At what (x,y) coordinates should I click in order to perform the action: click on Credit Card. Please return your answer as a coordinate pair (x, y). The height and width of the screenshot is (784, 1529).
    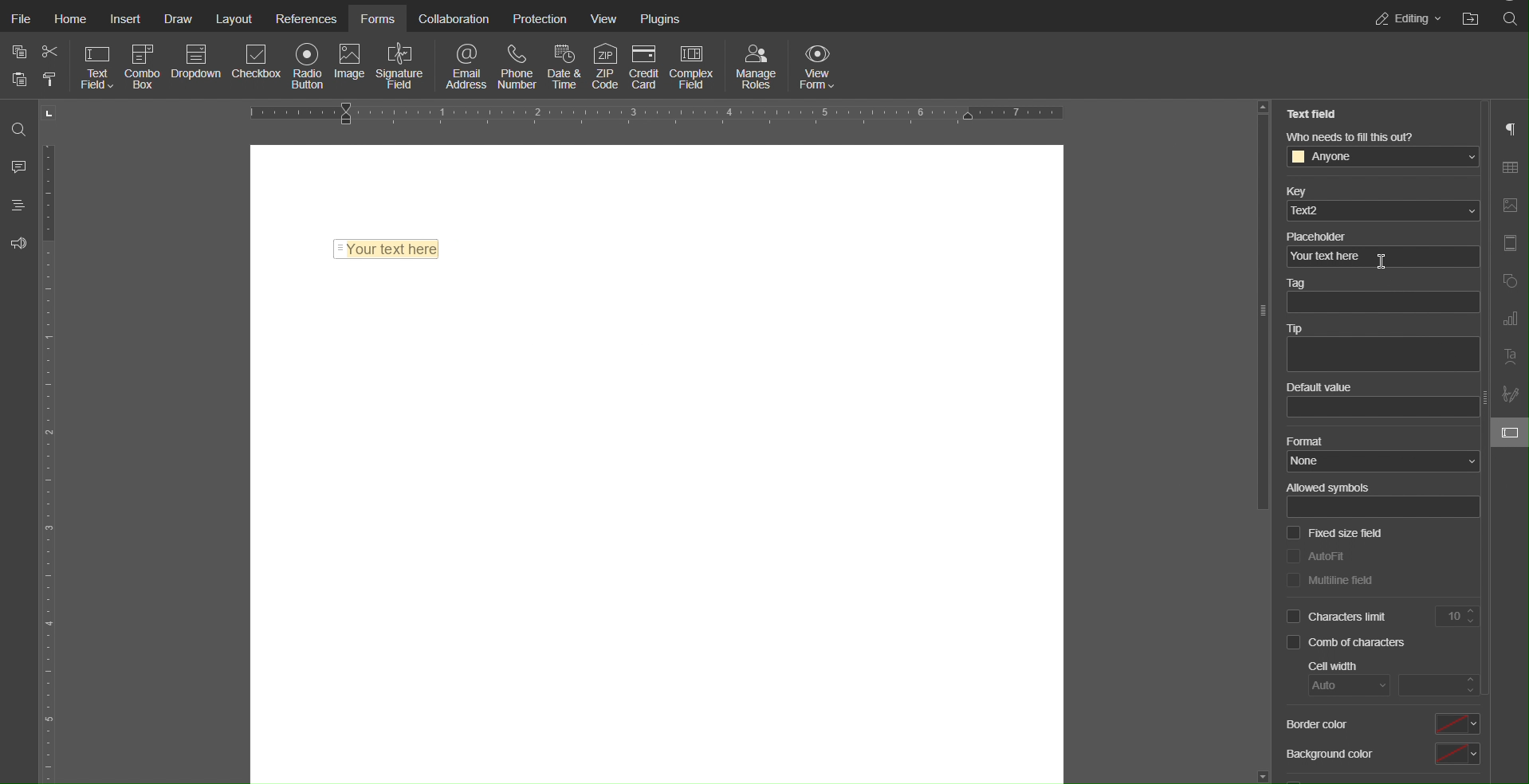
    Looking at the image, I should click on (645, 66).